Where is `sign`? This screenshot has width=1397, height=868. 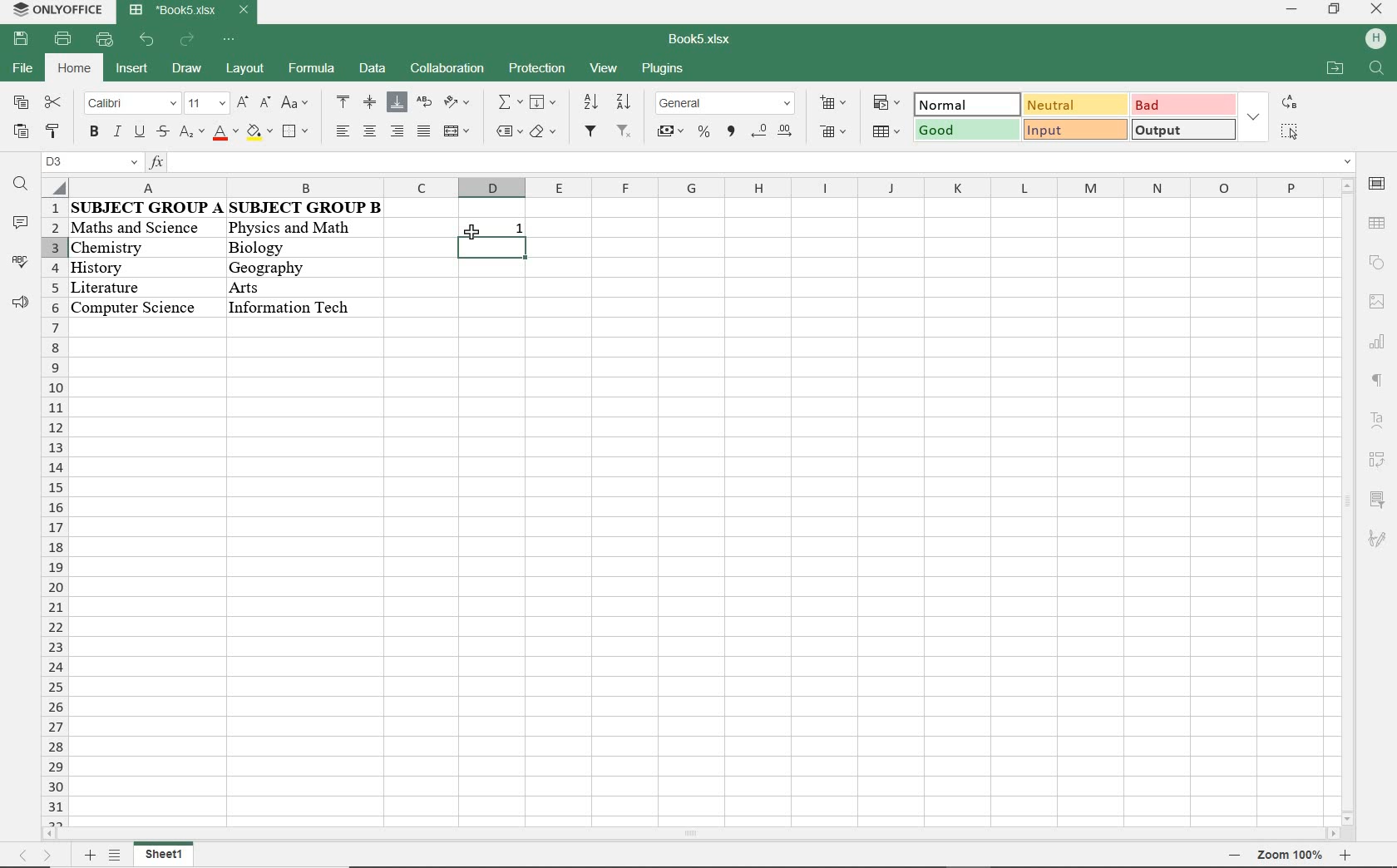 sign is located at coordinates (1376, 188).